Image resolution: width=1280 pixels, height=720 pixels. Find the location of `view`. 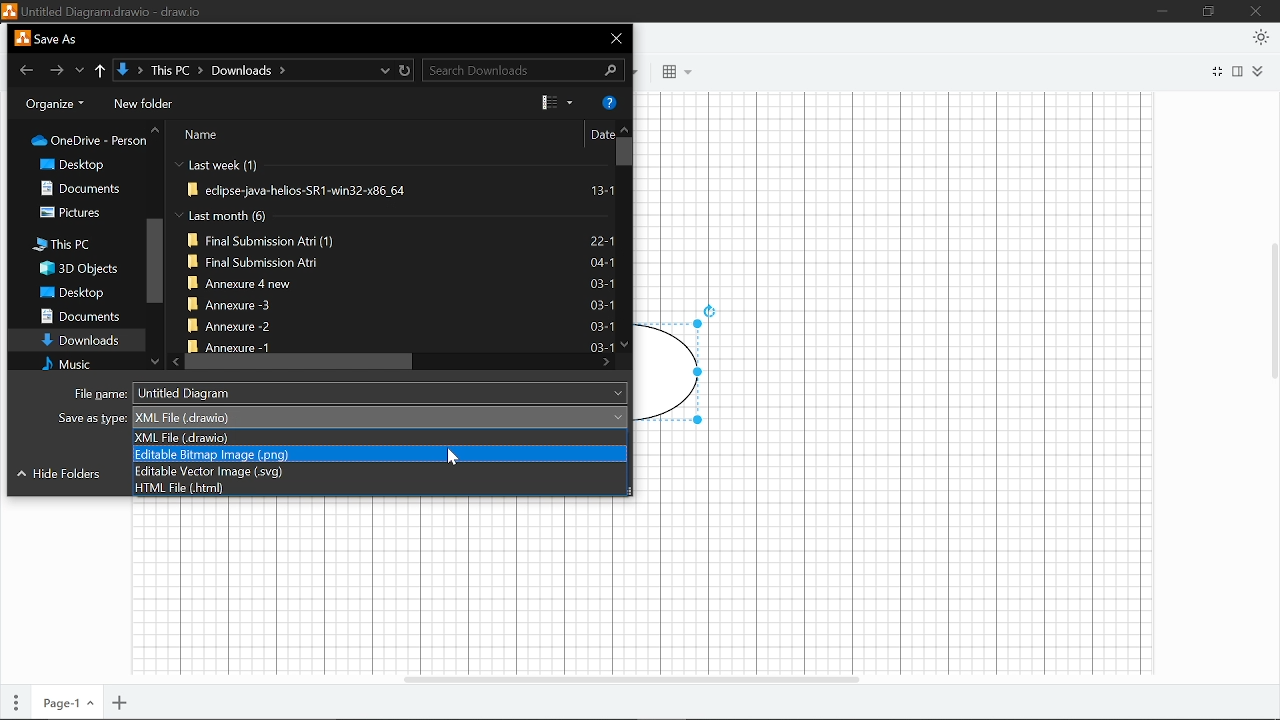

view is located at coordinates (558, 102).